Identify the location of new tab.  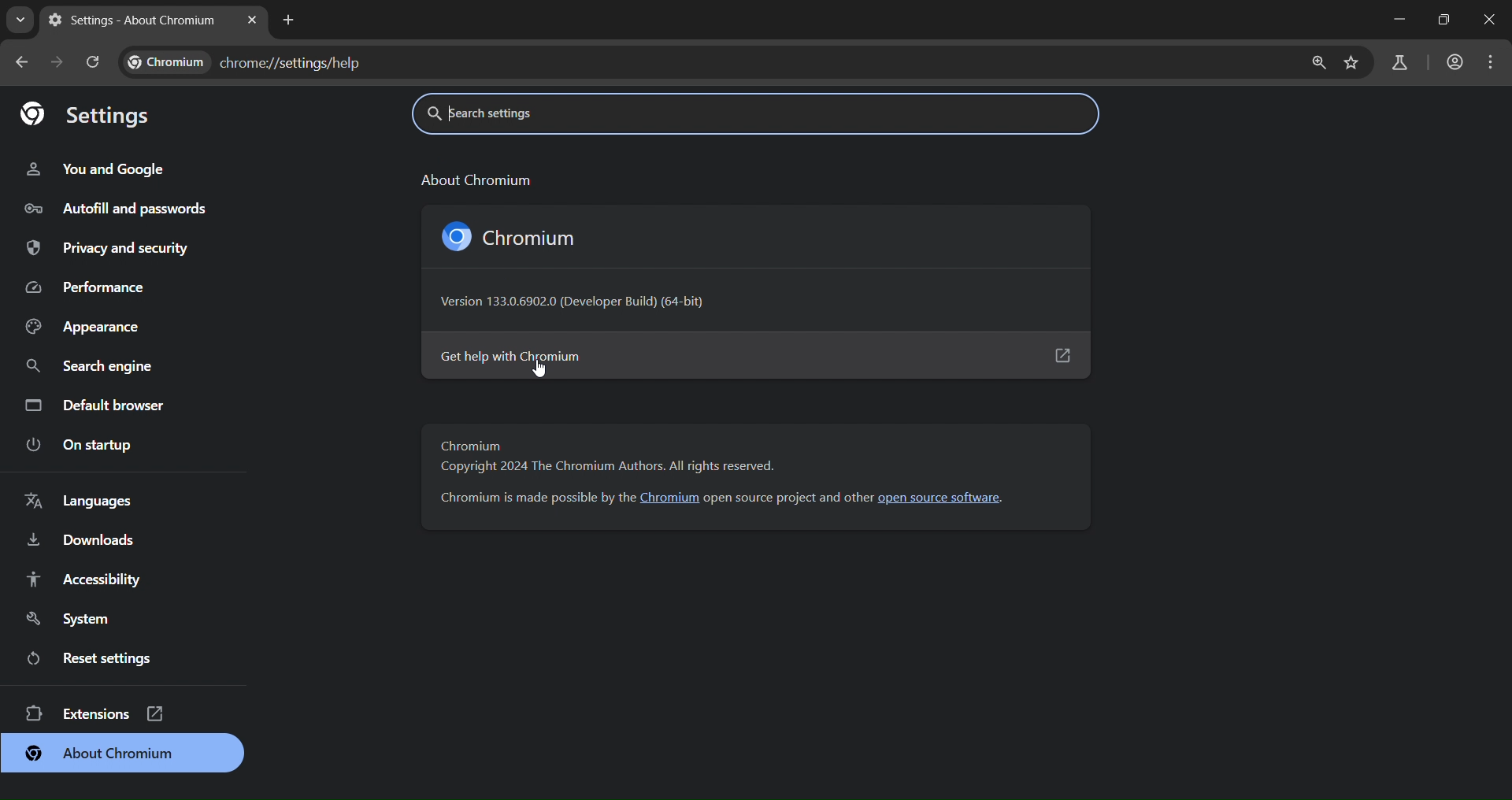
(288, 19).